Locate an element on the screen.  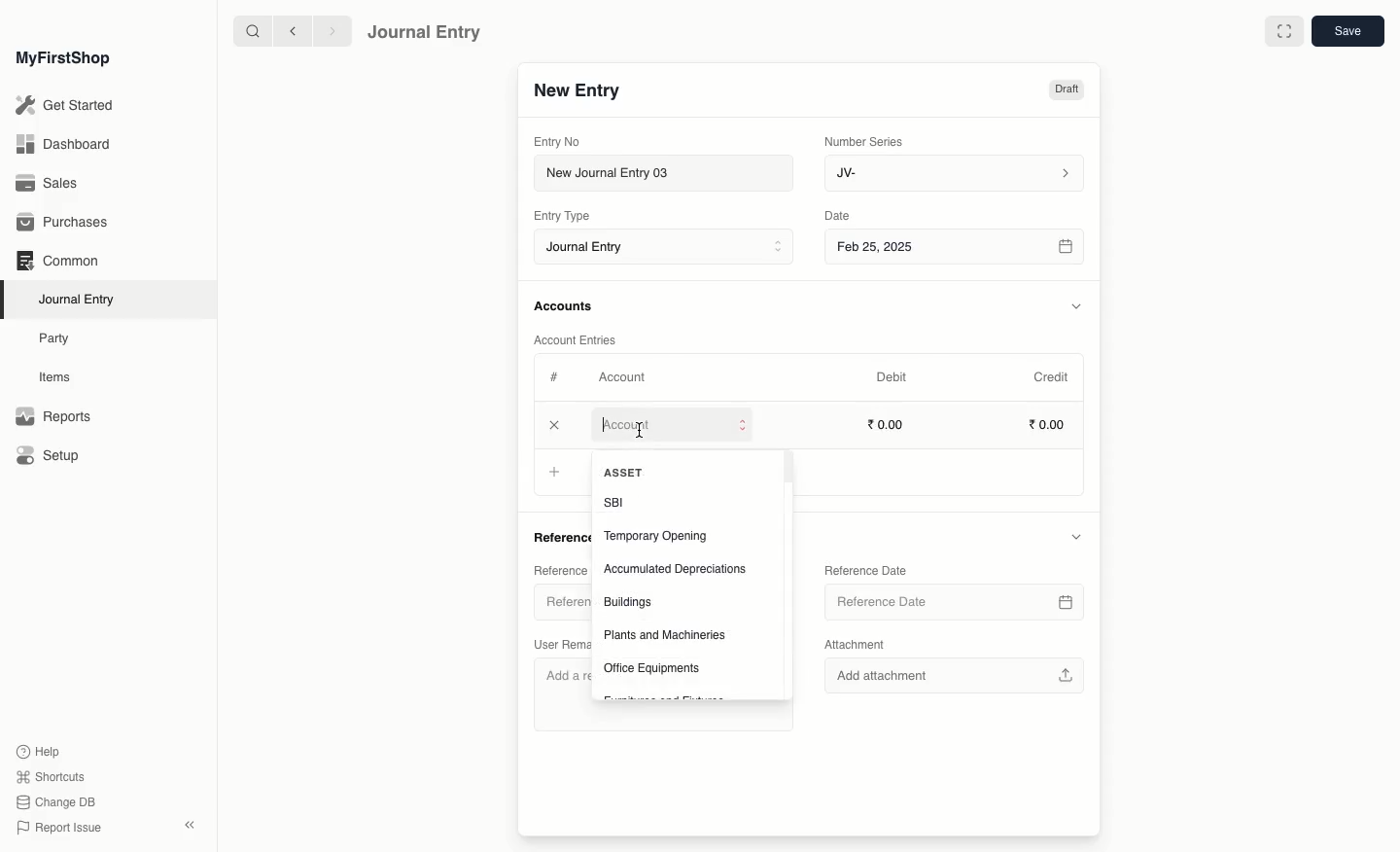
Reference Date is located at coordinates (868, 569).